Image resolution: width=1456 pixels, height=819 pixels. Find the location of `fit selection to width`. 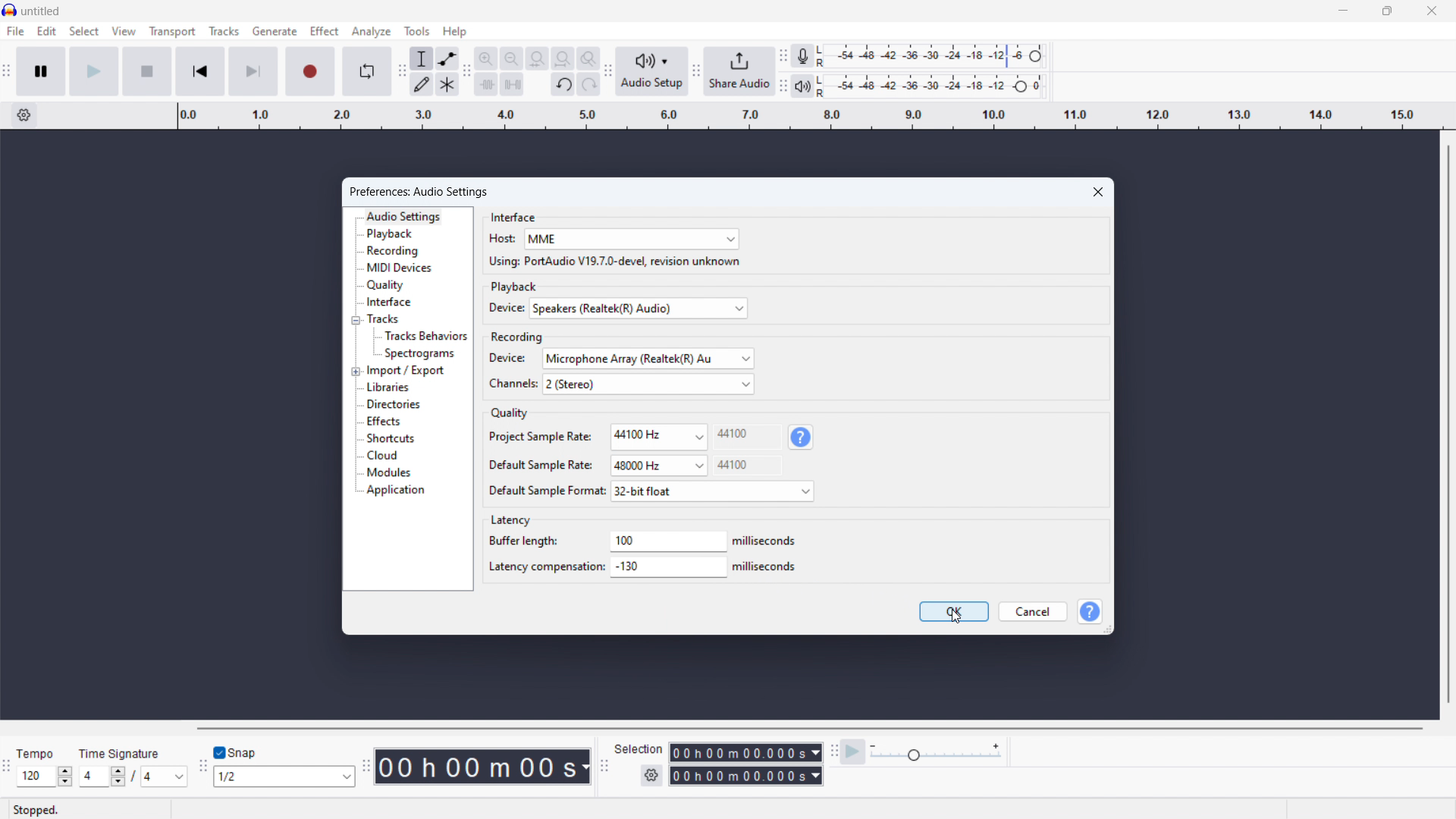

fit selection to width is located at coordinates (537, 59).